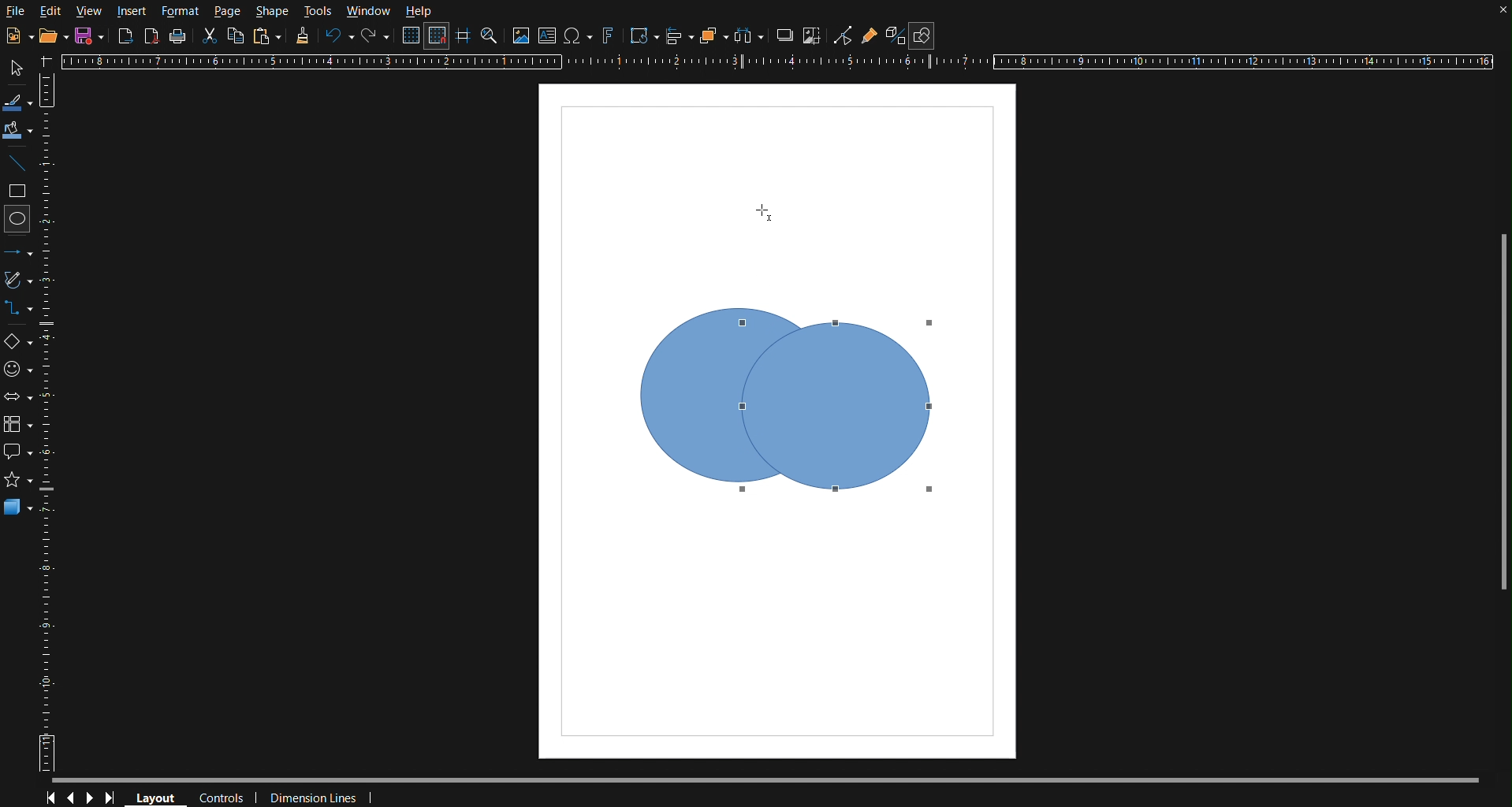 The image size is (1512, 807). Describe the element at coordinates (19, 67) in the screenshot. I see `Select` at that location.